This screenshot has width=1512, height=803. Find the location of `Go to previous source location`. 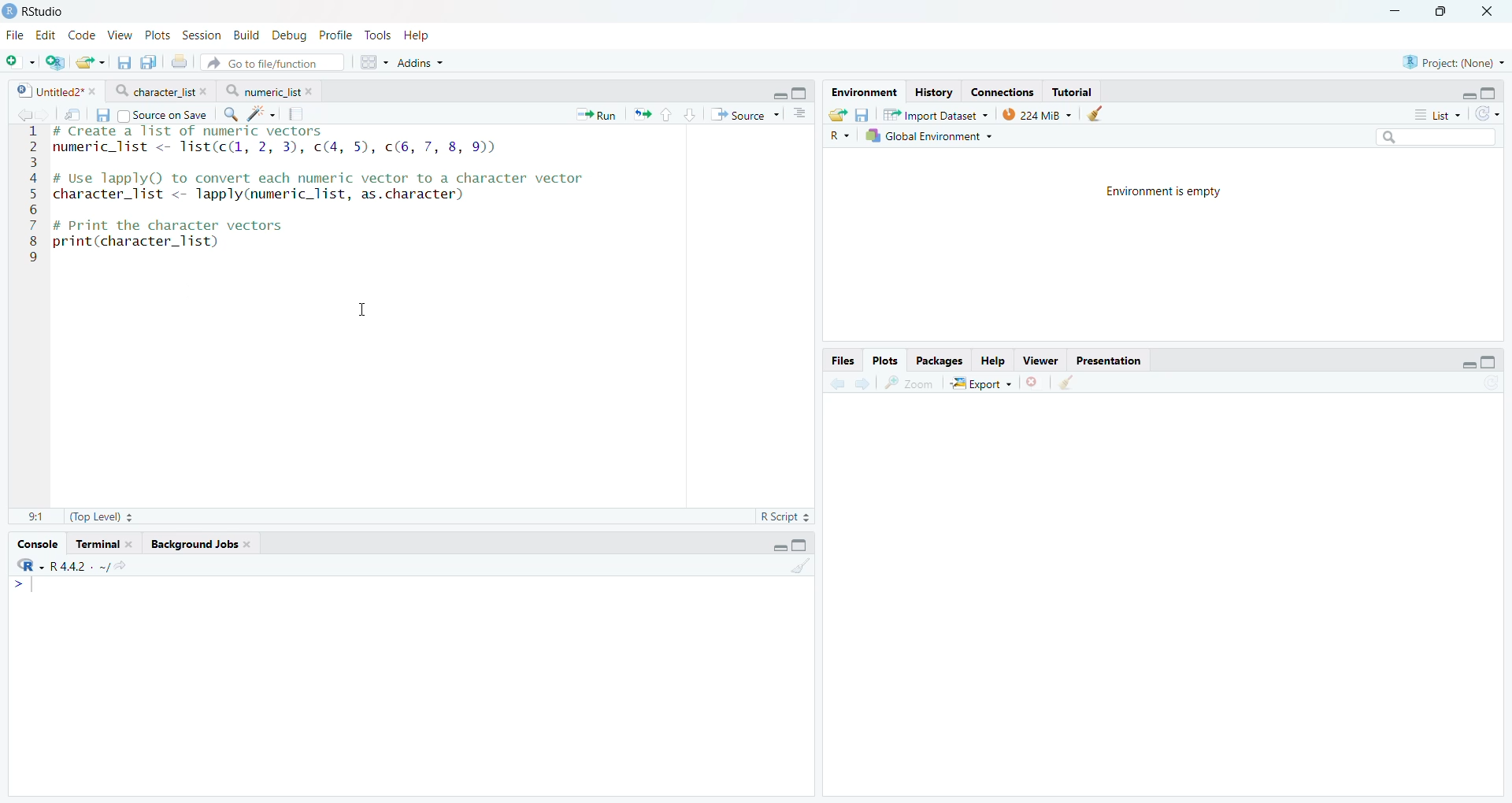

Go to previous source location is located at coordinates (20, 114).